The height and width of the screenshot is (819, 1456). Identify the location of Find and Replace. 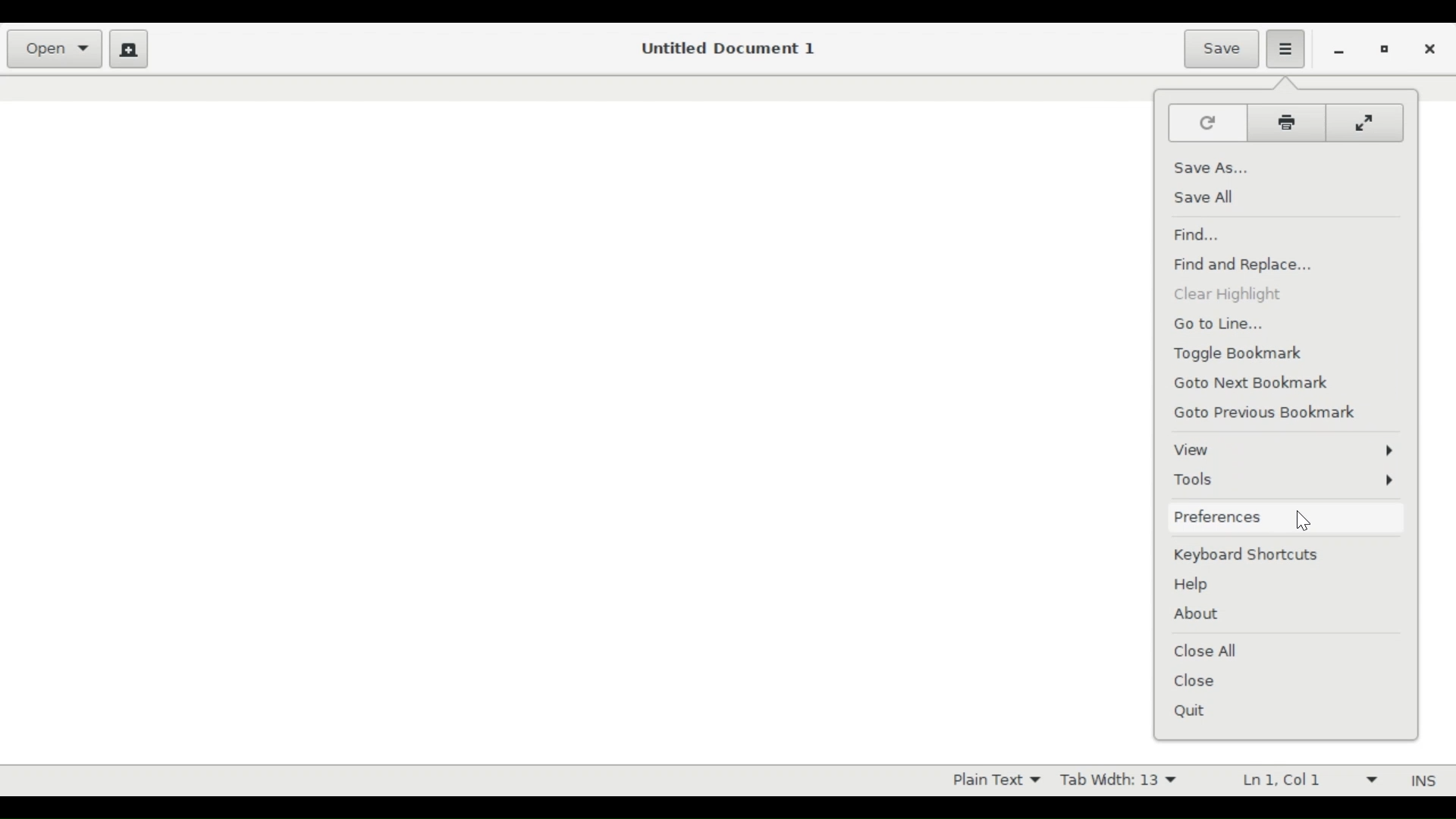
(1247, 266).